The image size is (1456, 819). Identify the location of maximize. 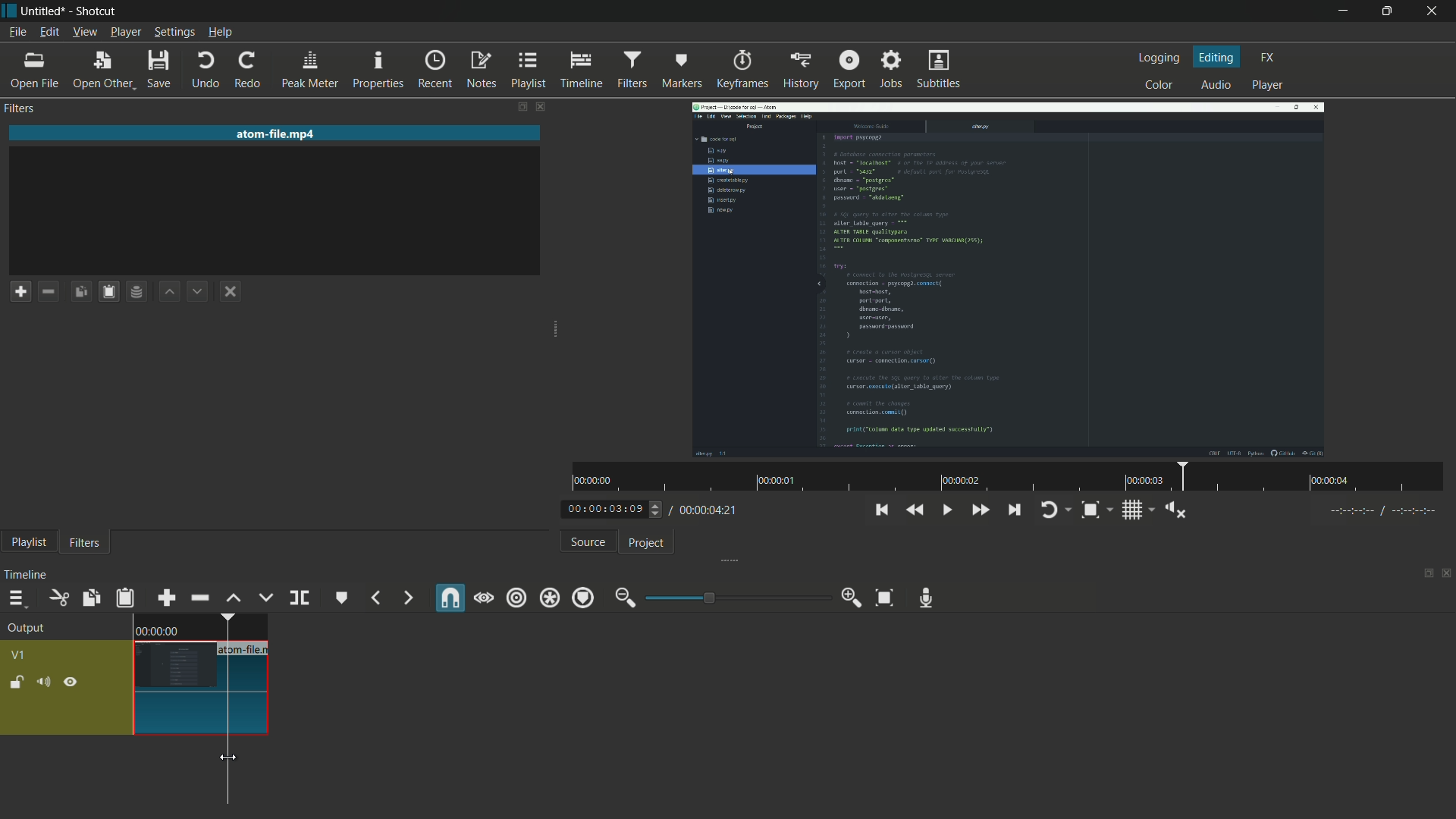
(1389, 11).